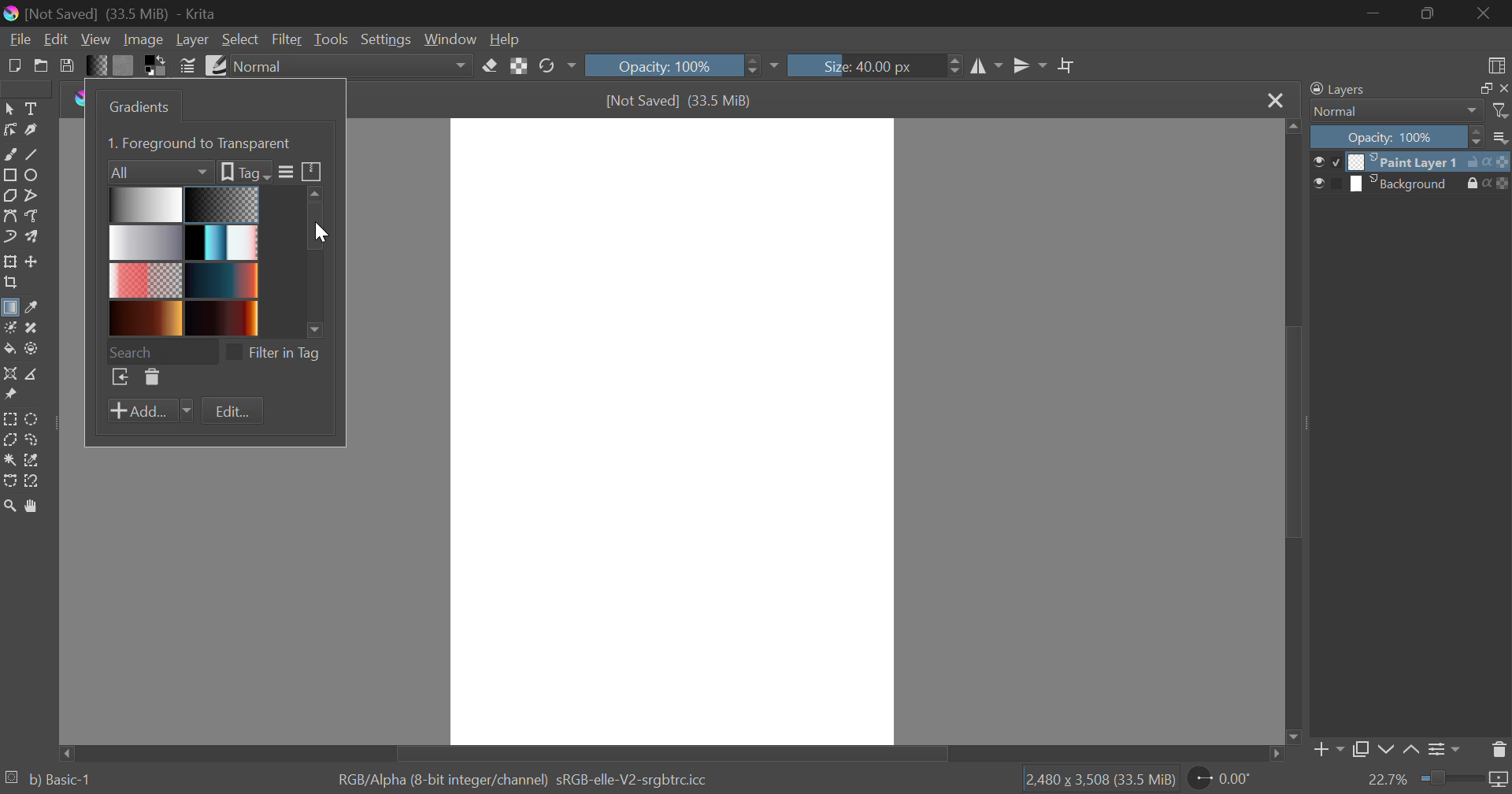 Image resolution: width=1512 pixels, height=794 pixels. What do you see at coordinates (505, 39) in the screenshot?
I see `Help` at bounding box center [505, 39].